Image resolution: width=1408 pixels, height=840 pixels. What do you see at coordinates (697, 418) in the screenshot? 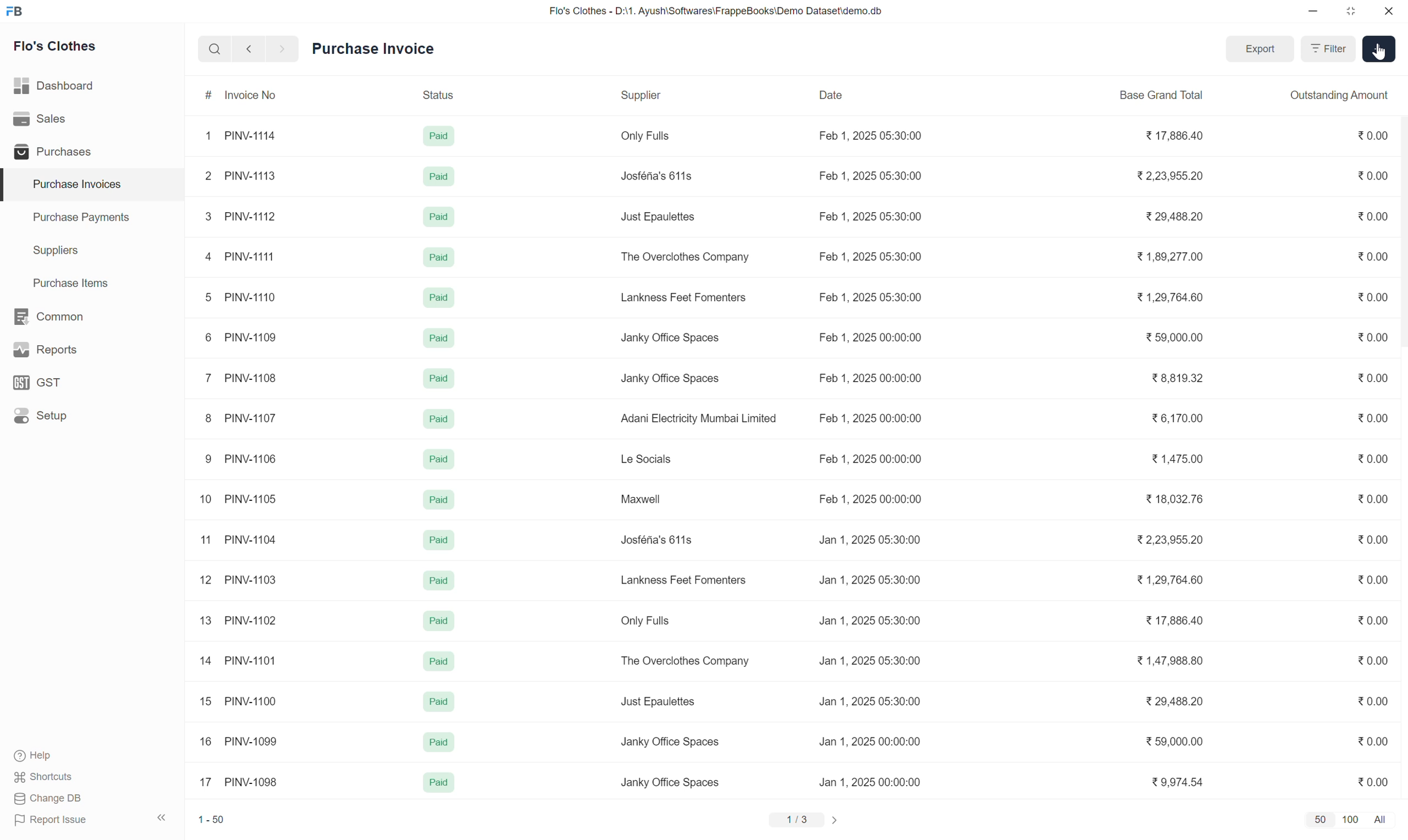
I see `Adani Electricity Mumbai Limited` at bounding box center [697, 418].